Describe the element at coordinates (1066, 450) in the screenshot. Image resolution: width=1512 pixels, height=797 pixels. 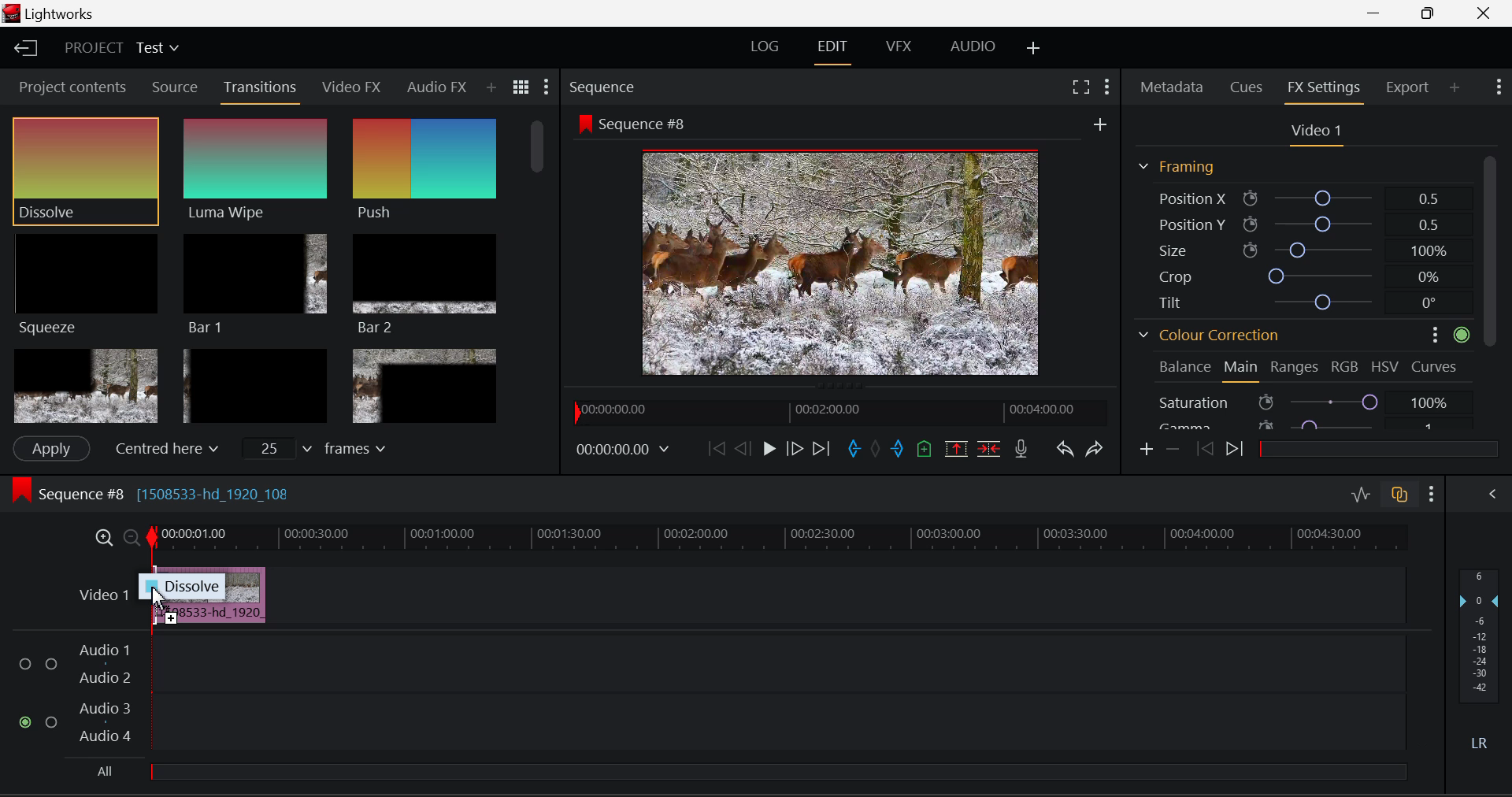
I see `Undo` at that location.